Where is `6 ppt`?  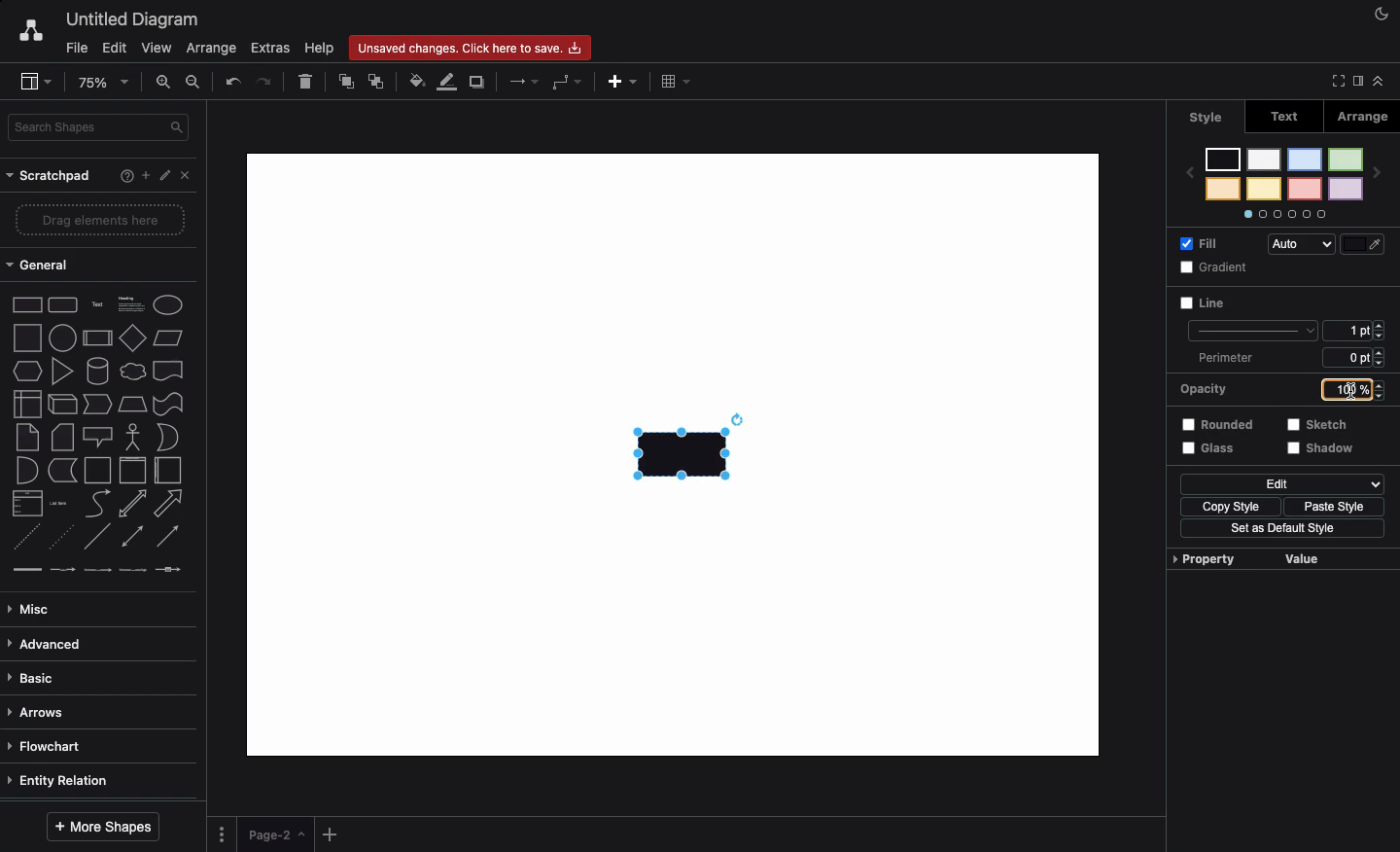 6 ppt is located at coordinates (1359, 360).